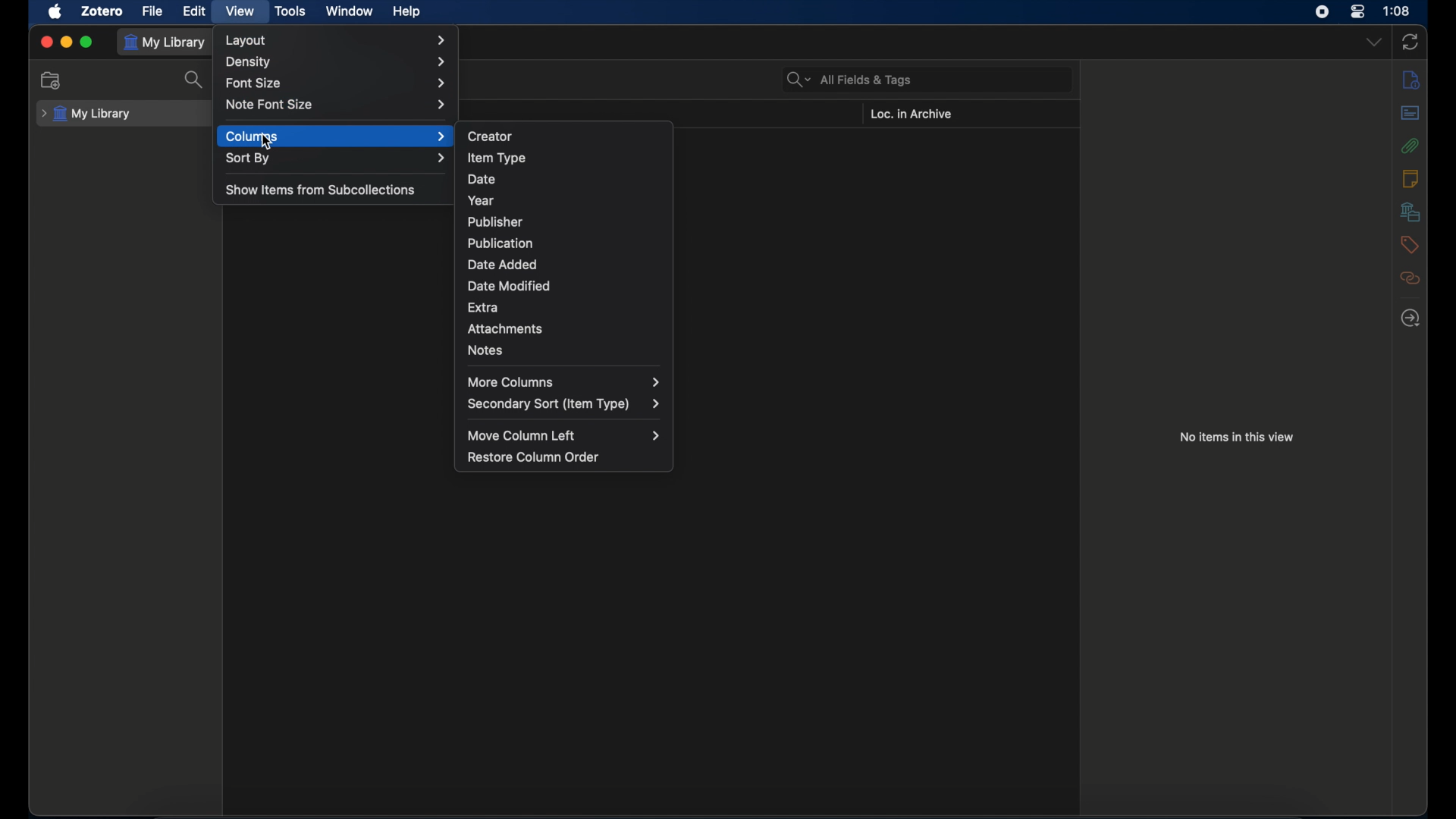 Image resolution: width=1456 pixels, height=819 pixels. What do you see at coordinates (1410, 113) in the screenshot?
I see `abstract` at bounding box center [1410, 113].